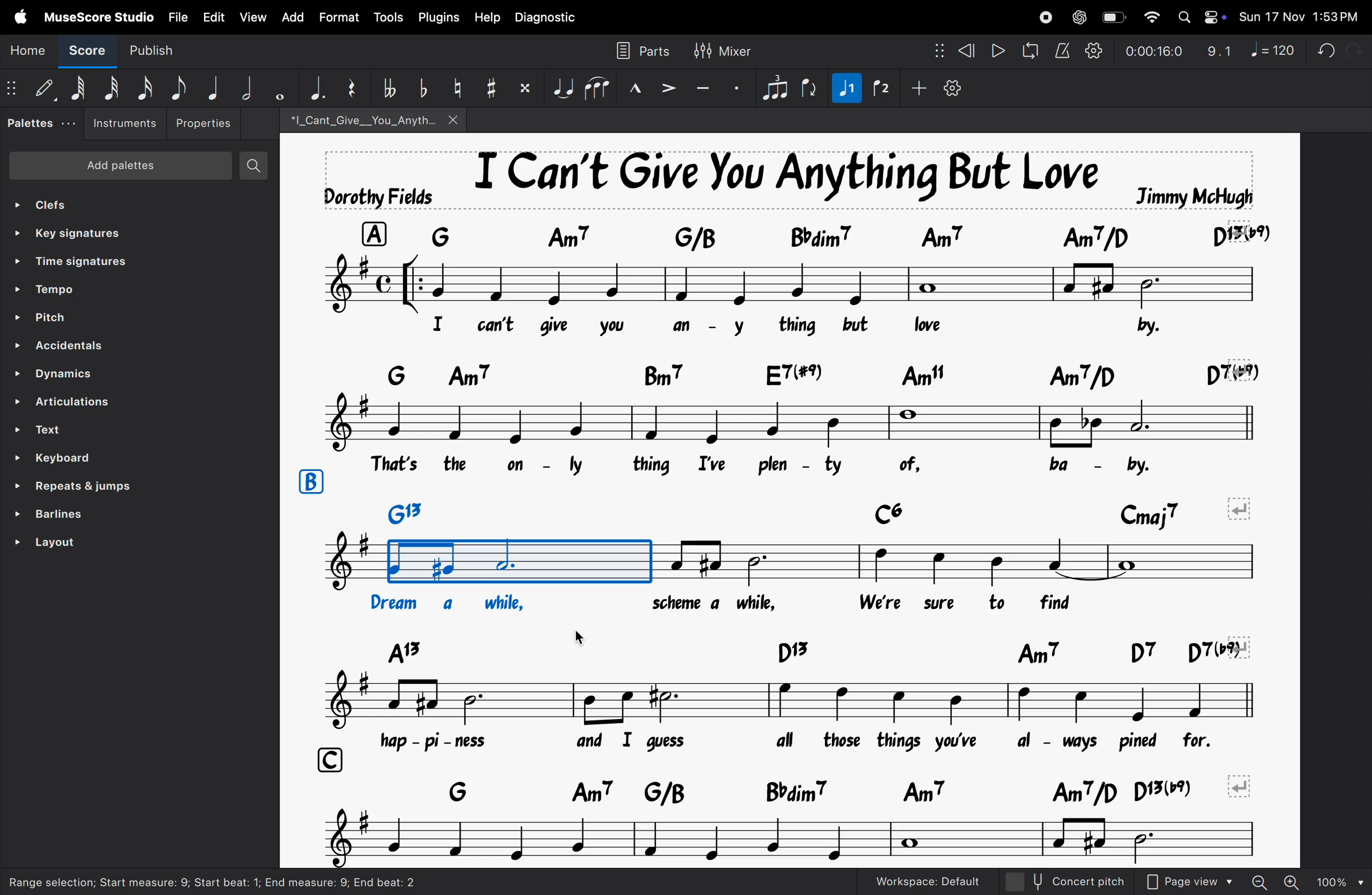 The width and height of the screenshot is (1372, 895). I want to click on lyrics, so click(770, 329).